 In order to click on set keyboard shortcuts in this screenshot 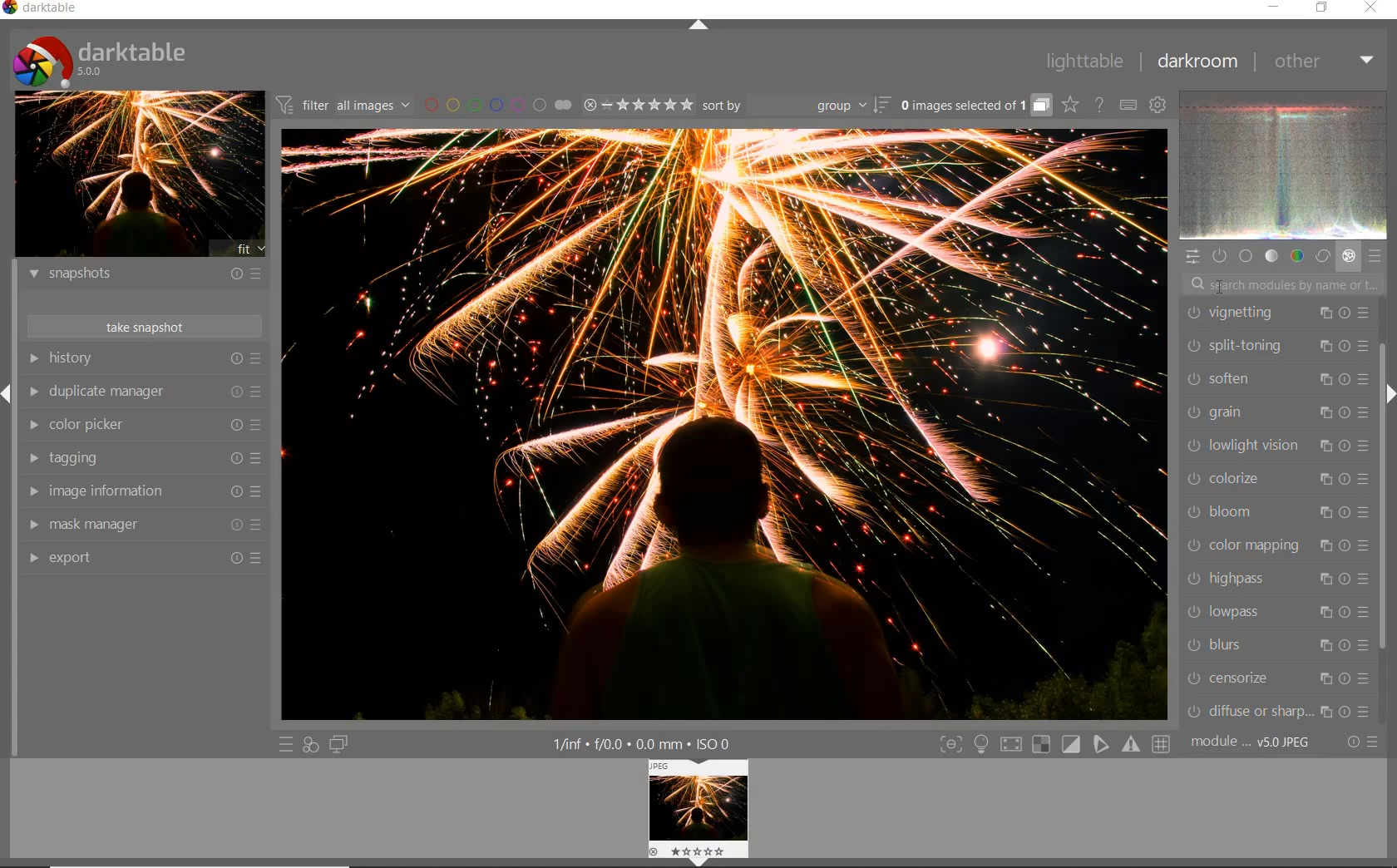, I will do `click(1127, 105)`.